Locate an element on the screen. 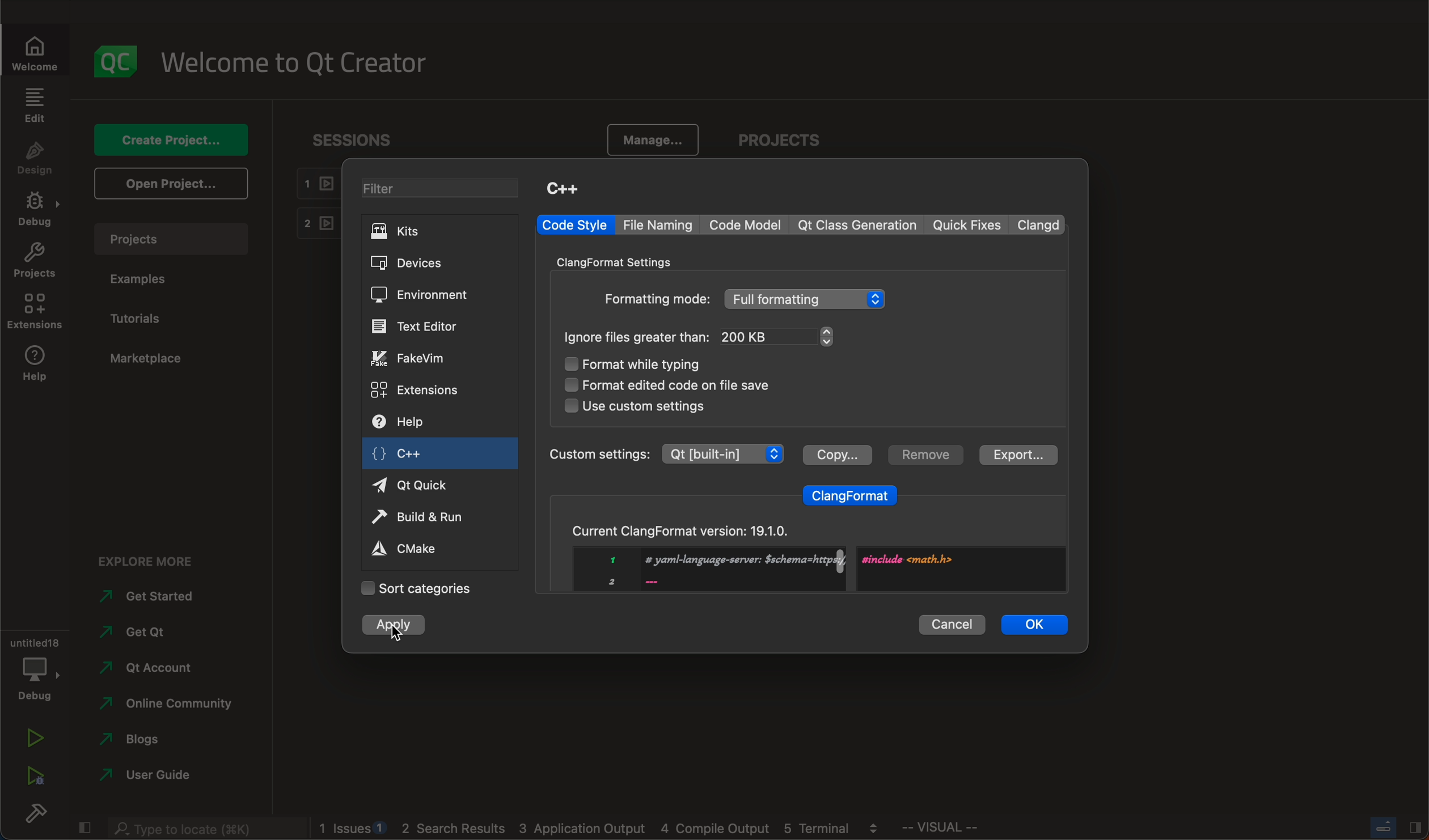 This screenshot has height=840, width=1429. environment is located at coordinates (419, 295).